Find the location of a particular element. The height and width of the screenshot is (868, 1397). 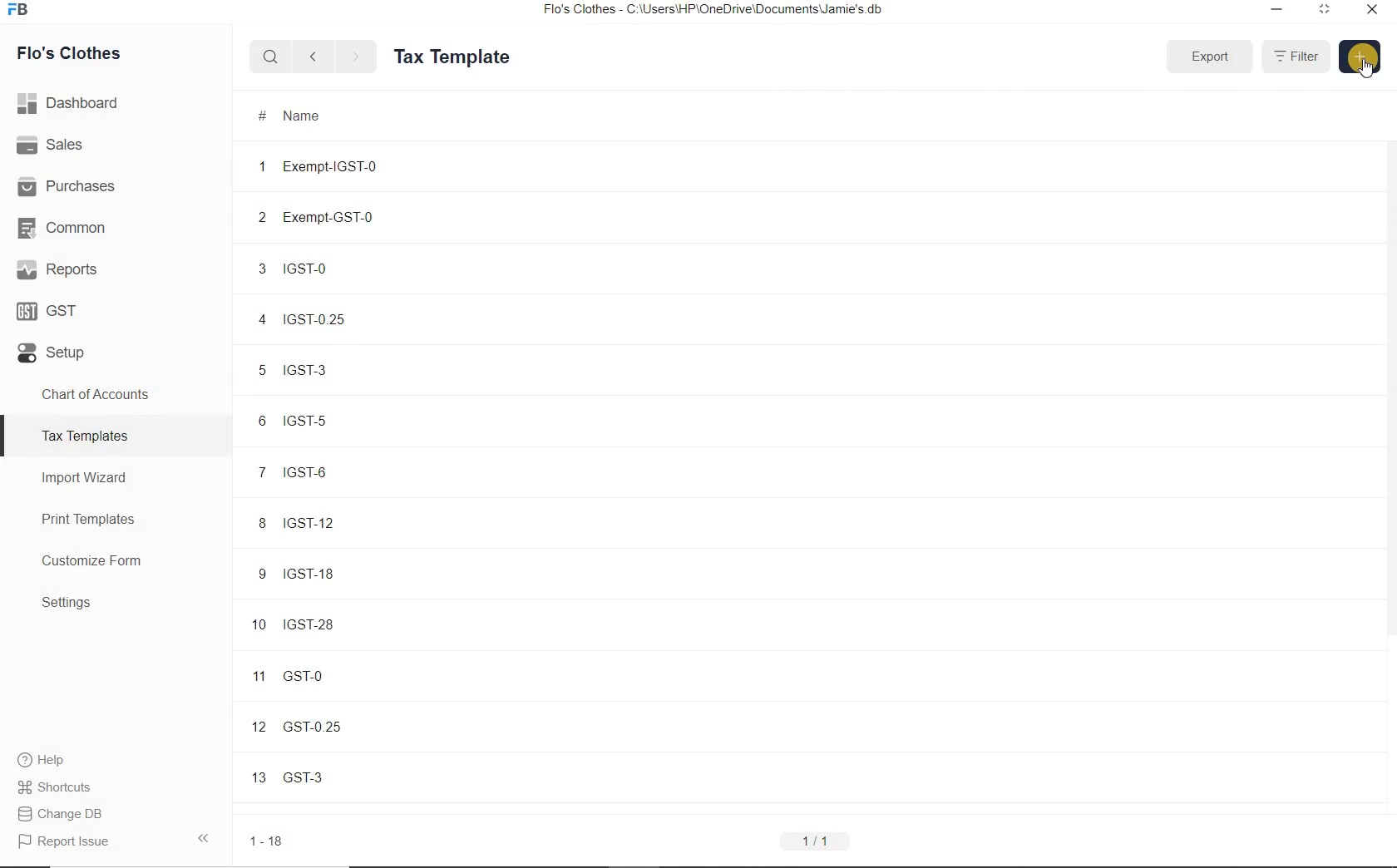

6 IGST-5 is located at coordinates (344, 422).